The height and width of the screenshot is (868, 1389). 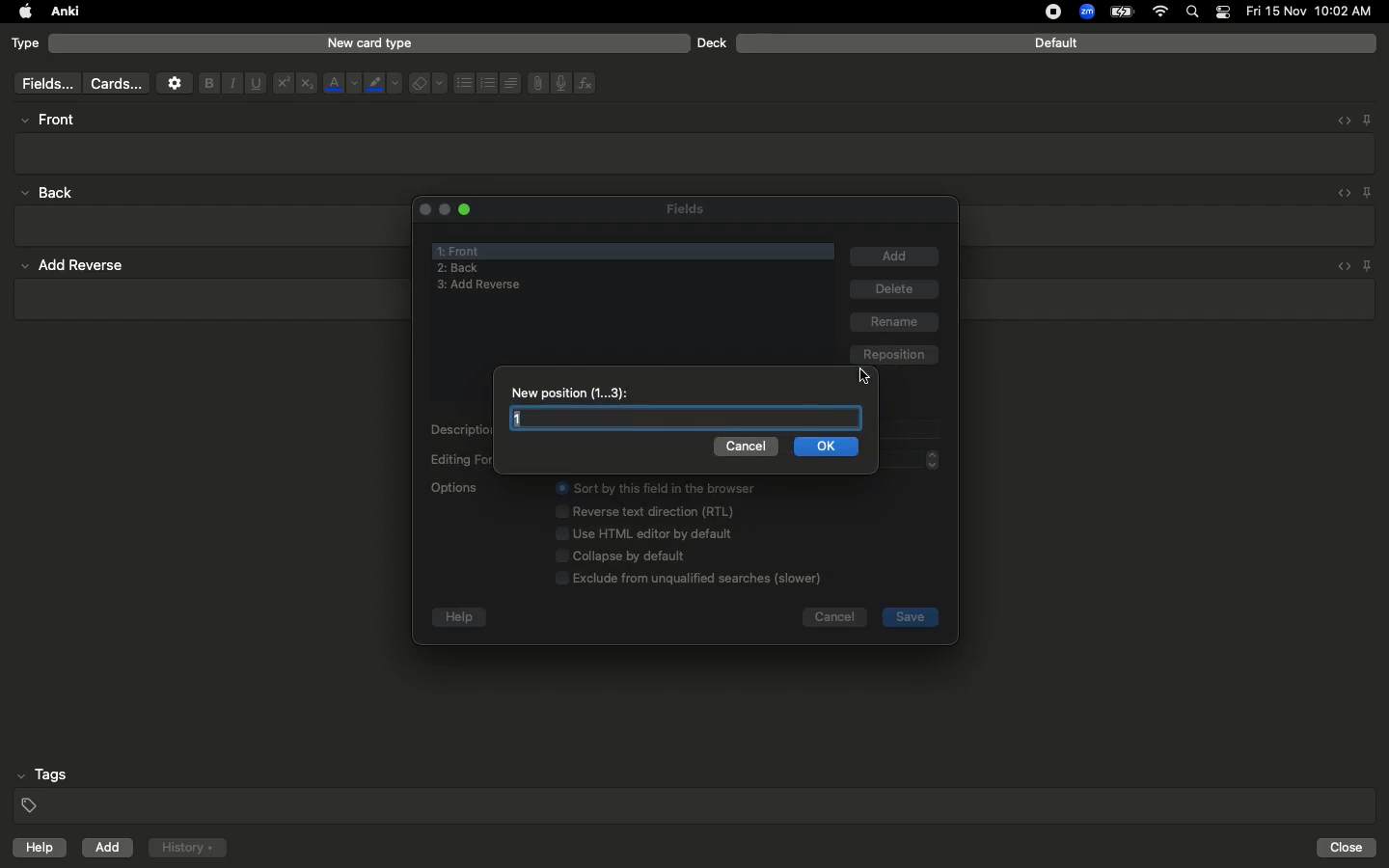 What do you see at coordinates (1056, 43) in the screenshot?
I see `Default` at bounding box center [1056, 43].